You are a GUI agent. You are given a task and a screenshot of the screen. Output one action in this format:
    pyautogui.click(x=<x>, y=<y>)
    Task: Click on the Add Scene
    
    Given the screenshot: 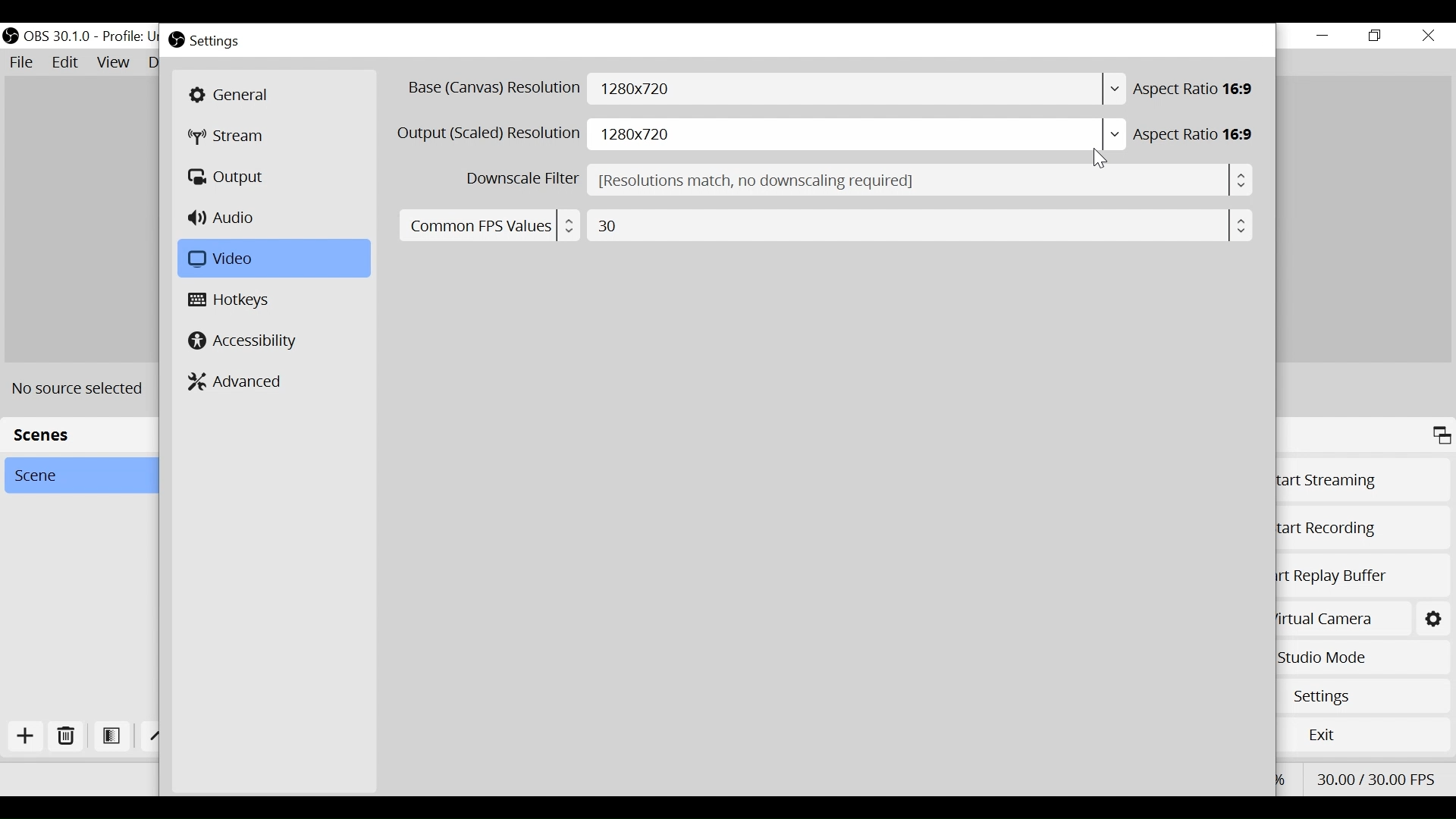 What is the action you would take?
    pyautogui.click(x=30, y=739)
    